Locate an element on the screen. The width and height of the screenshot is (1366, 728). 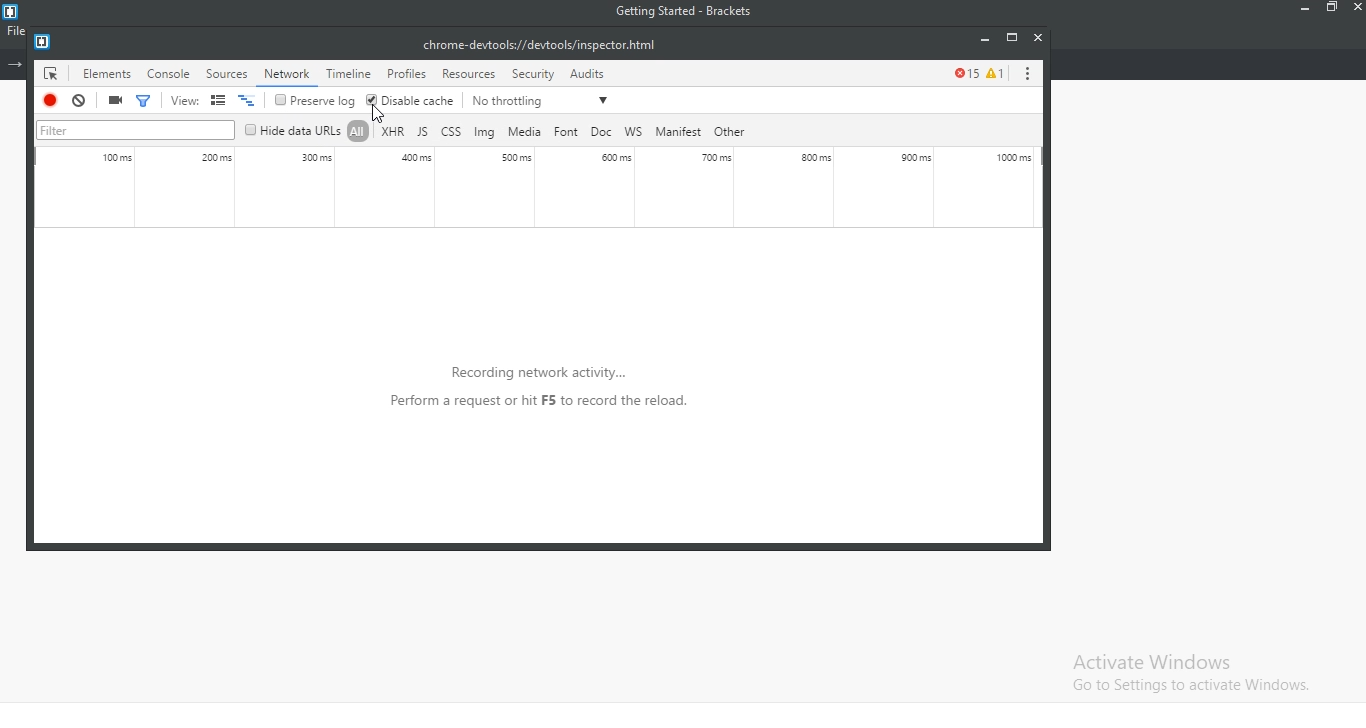
cancel is located at coordinates (79, 101).